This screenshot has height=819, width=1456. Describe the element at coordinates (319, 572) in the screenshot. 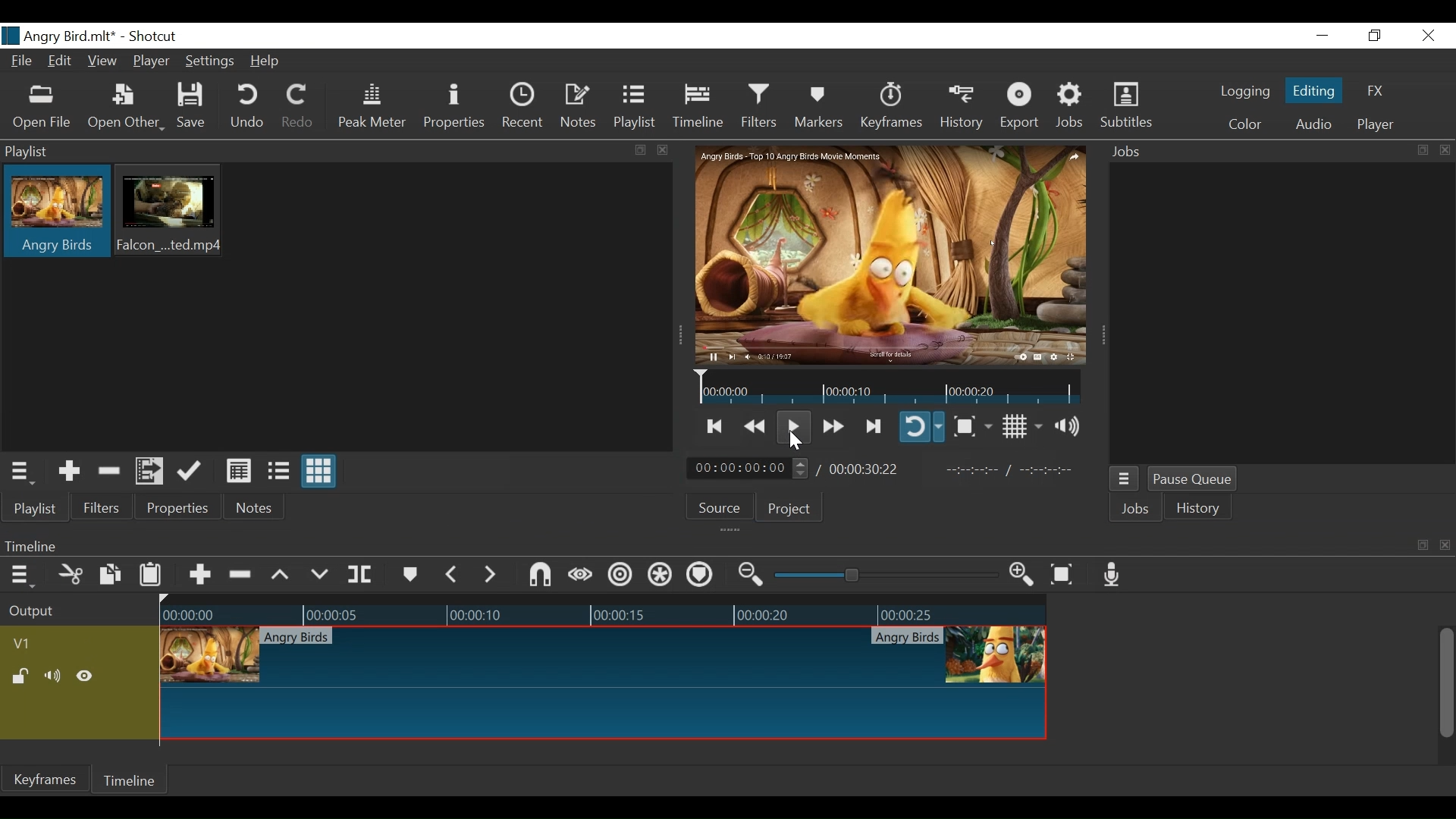

I see `Overwrite` at that location.